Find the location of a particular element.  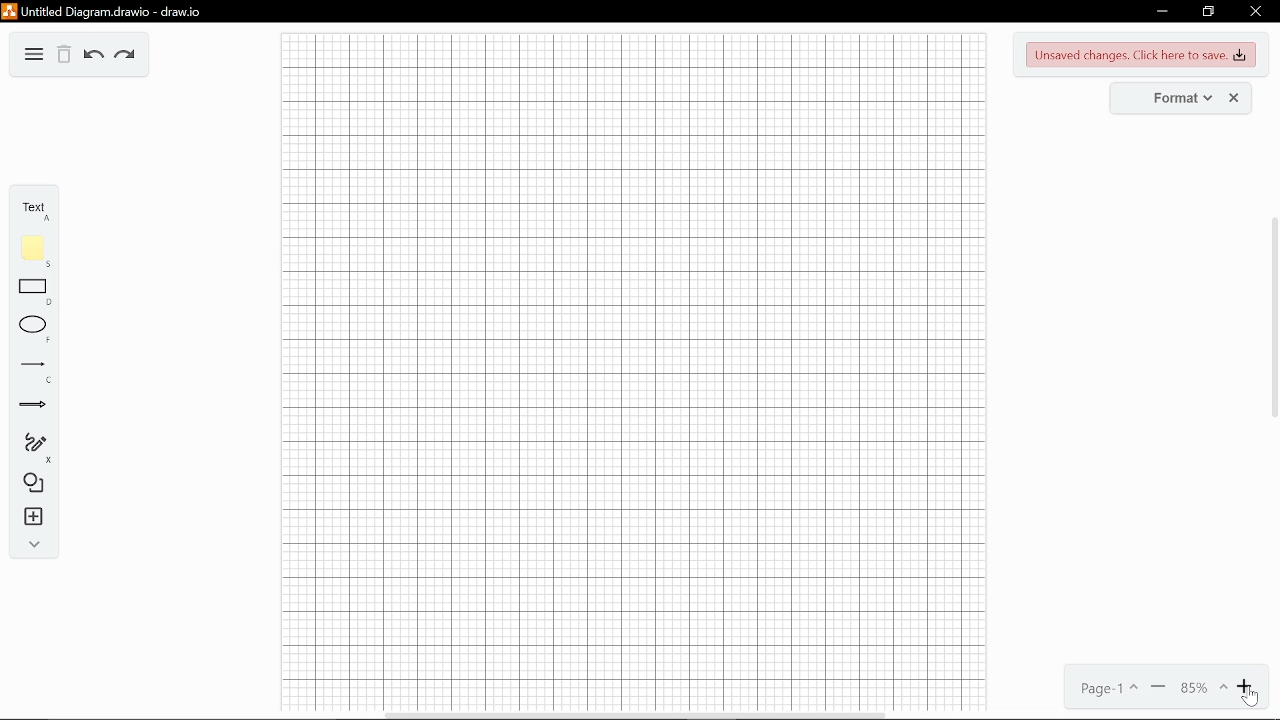

Close is located at coordinates (1234, 97).